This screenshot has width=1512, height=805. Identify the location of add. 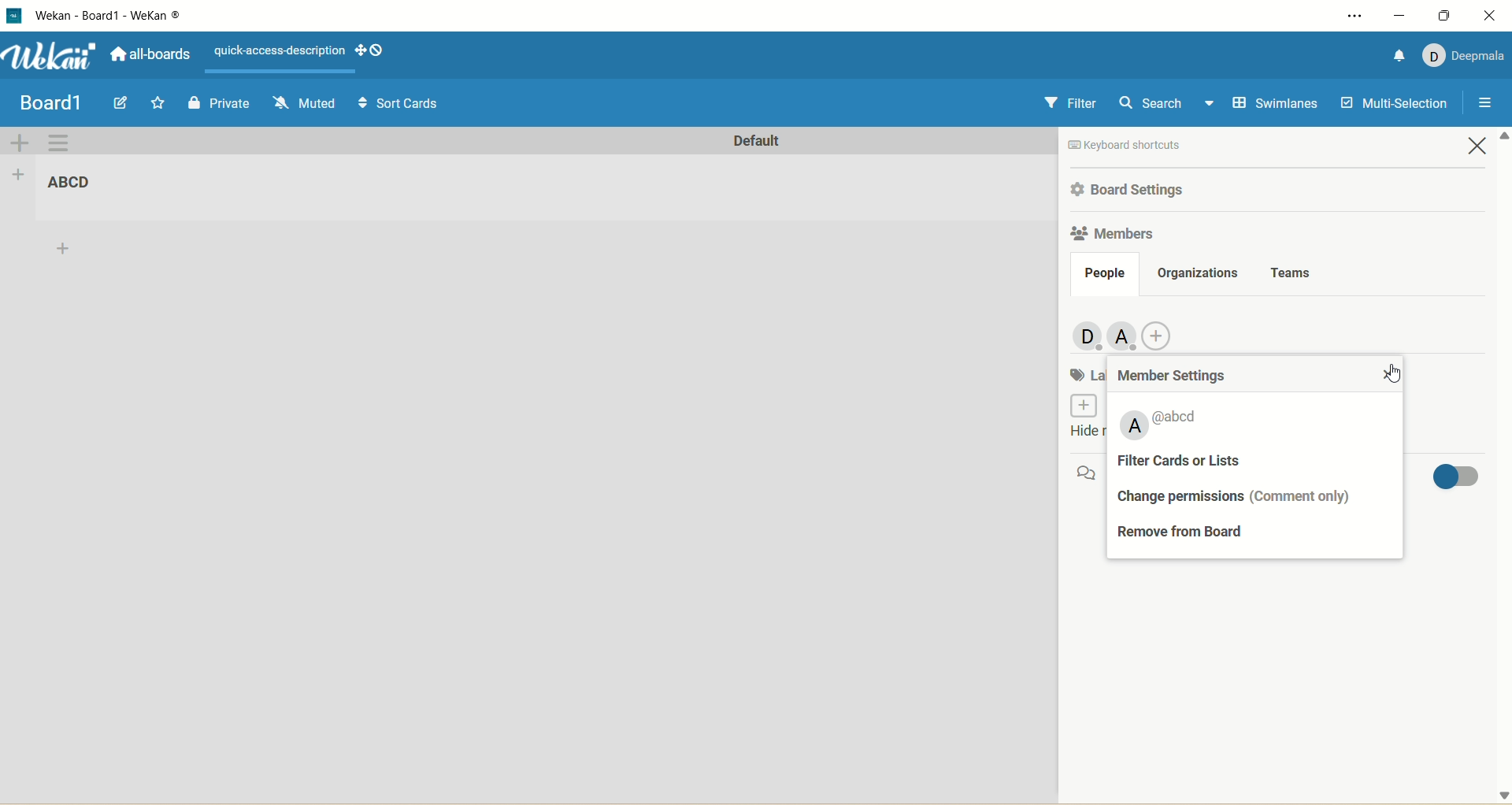
(65, 251).